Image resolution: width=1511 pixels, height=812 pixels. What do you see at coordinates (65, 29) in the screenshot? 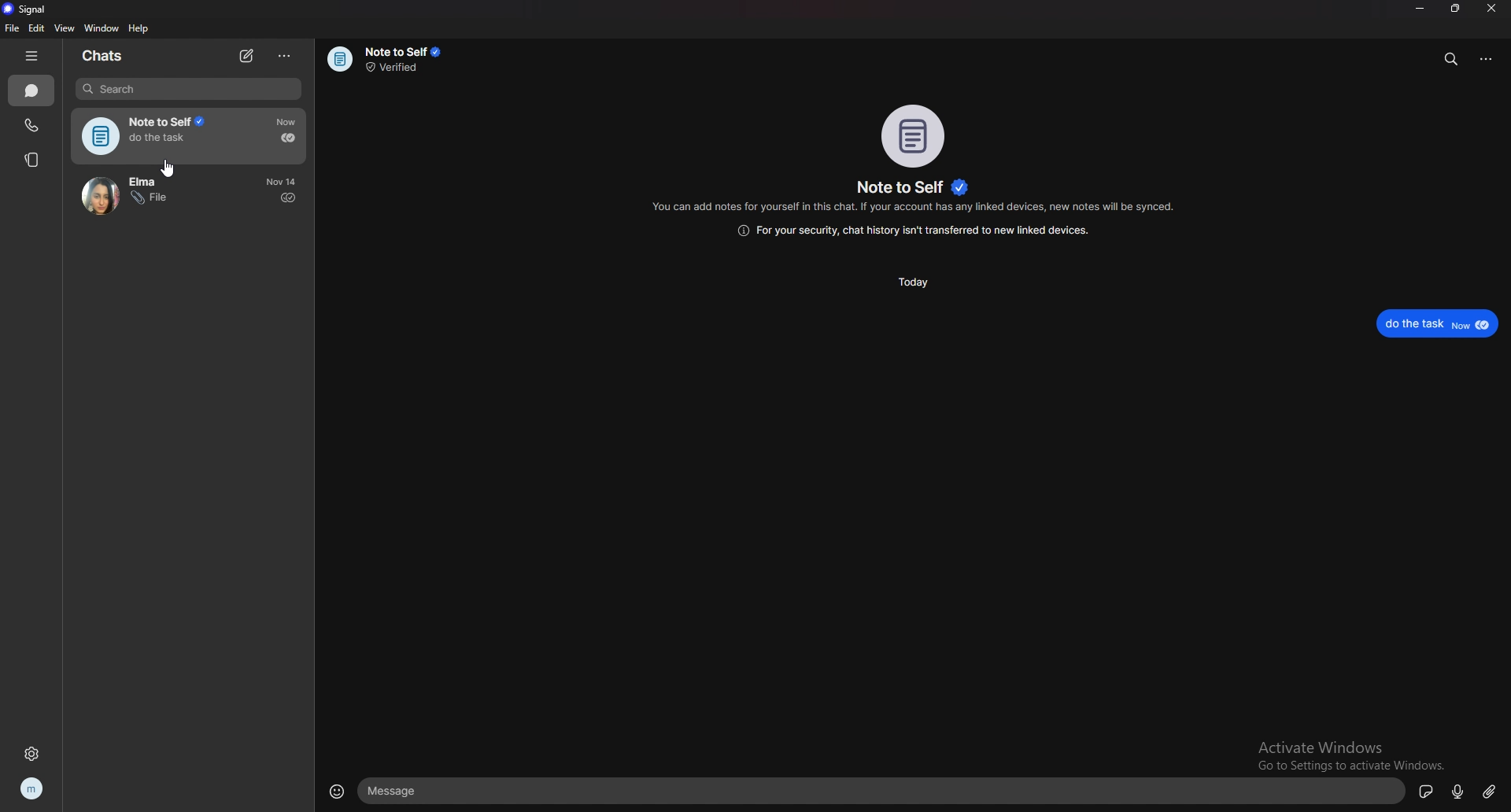
I see `view` at bounding box center [65, 29].